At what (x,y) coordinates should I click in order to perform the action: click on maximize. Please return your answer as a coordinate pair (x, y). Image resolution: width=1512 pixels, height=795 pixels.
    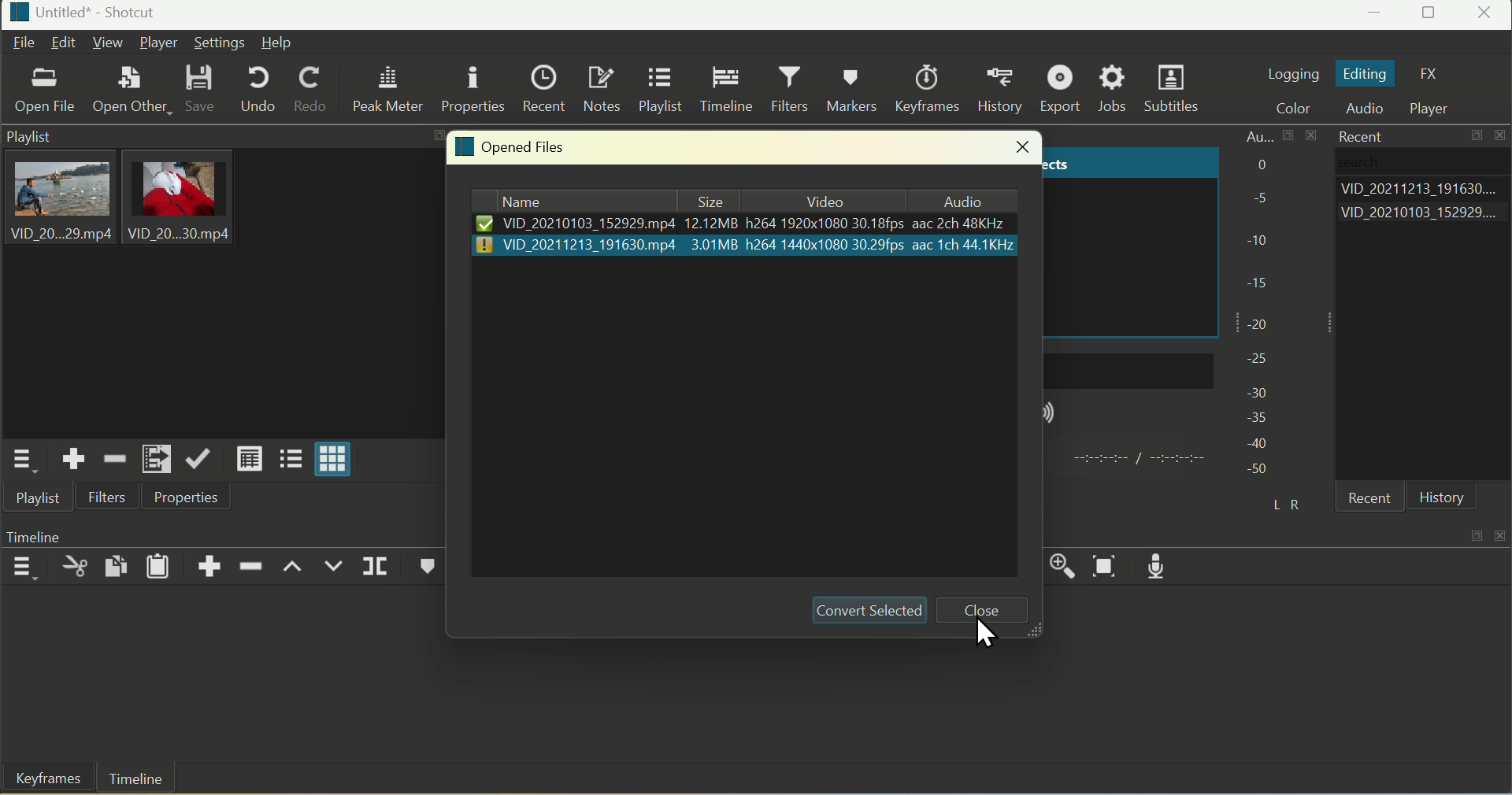
    Looking at the image, I should click on (1475, 534).